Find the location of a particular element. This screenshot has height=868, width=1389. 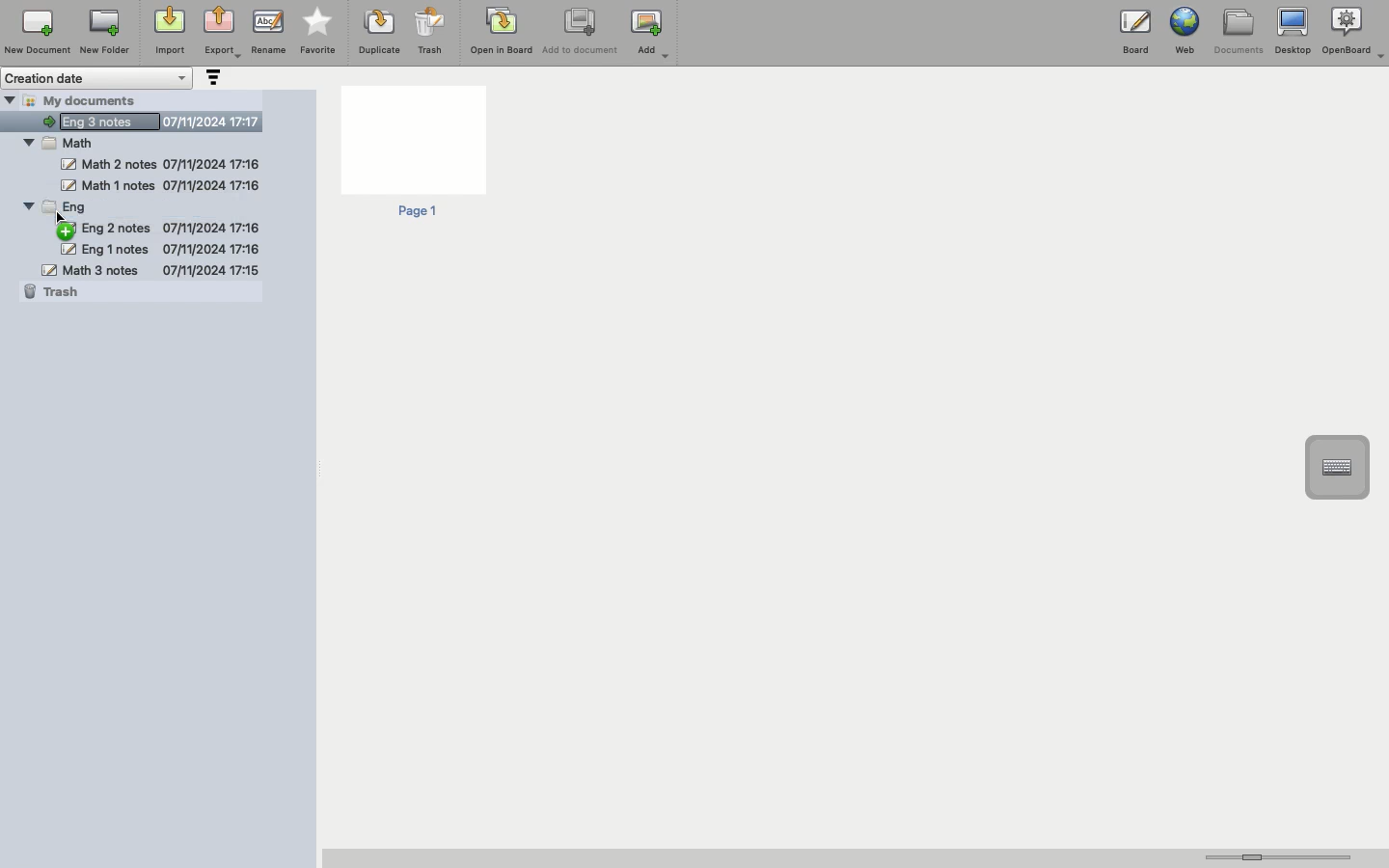

Math 1 notes is located at coordinates (158, 185).